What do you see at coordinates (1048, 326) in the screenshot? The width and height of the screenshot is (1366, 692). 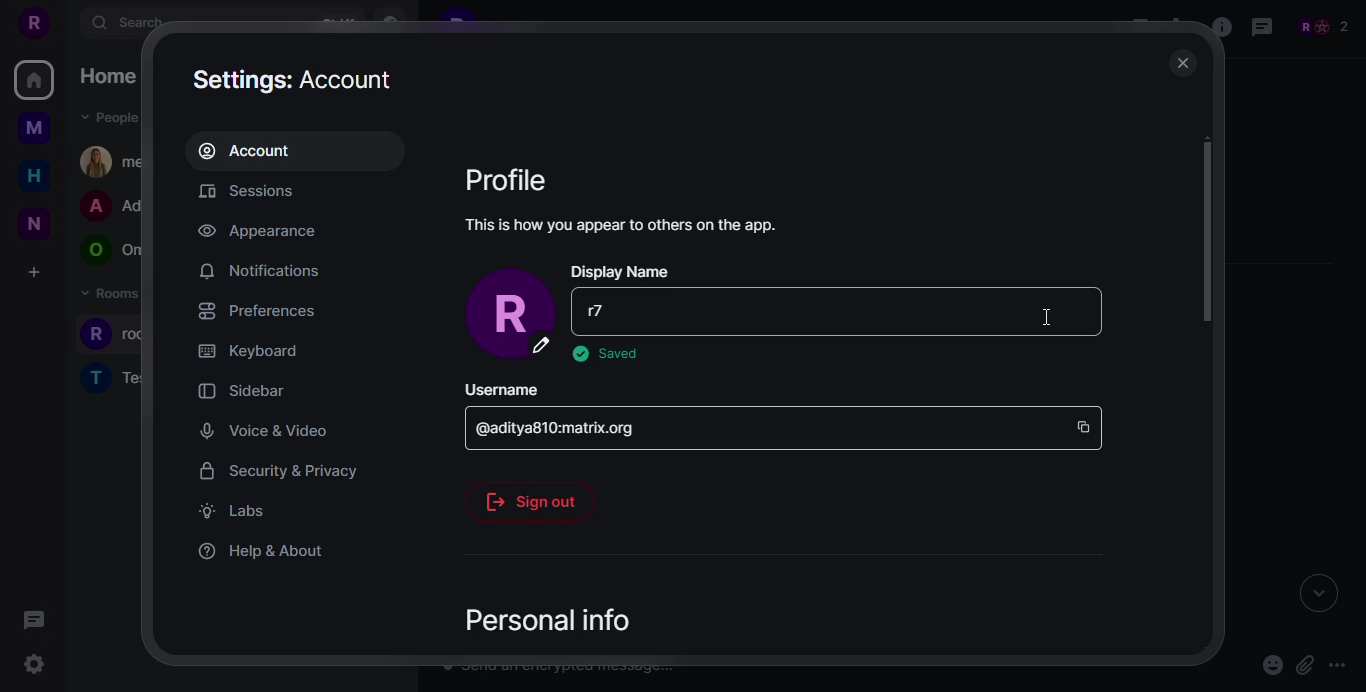 I see `cursor` at bounding box center [1048, 326].